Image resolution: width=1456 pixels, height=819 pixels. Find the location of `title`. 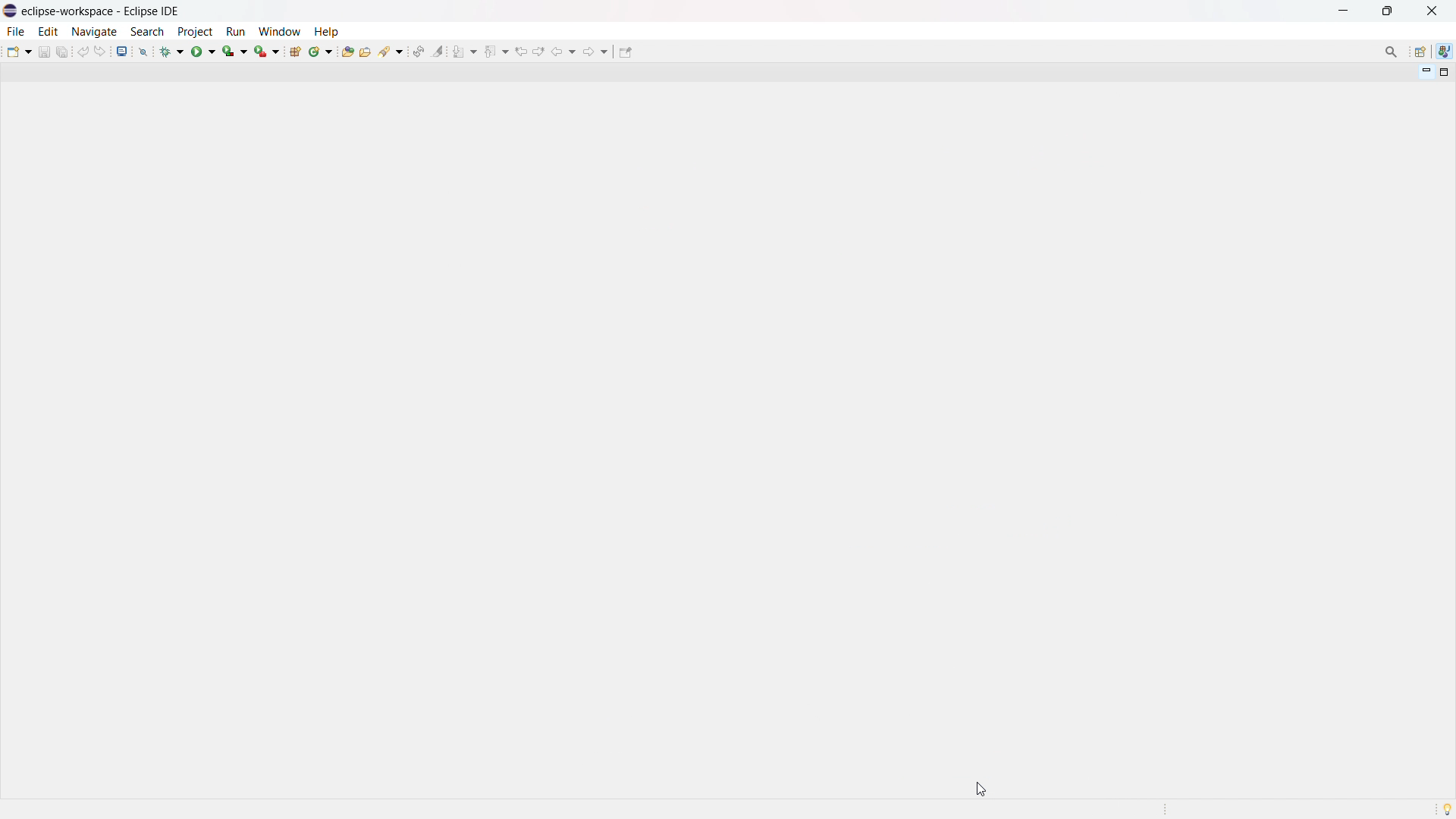

title is located at coordinates (102, 11).